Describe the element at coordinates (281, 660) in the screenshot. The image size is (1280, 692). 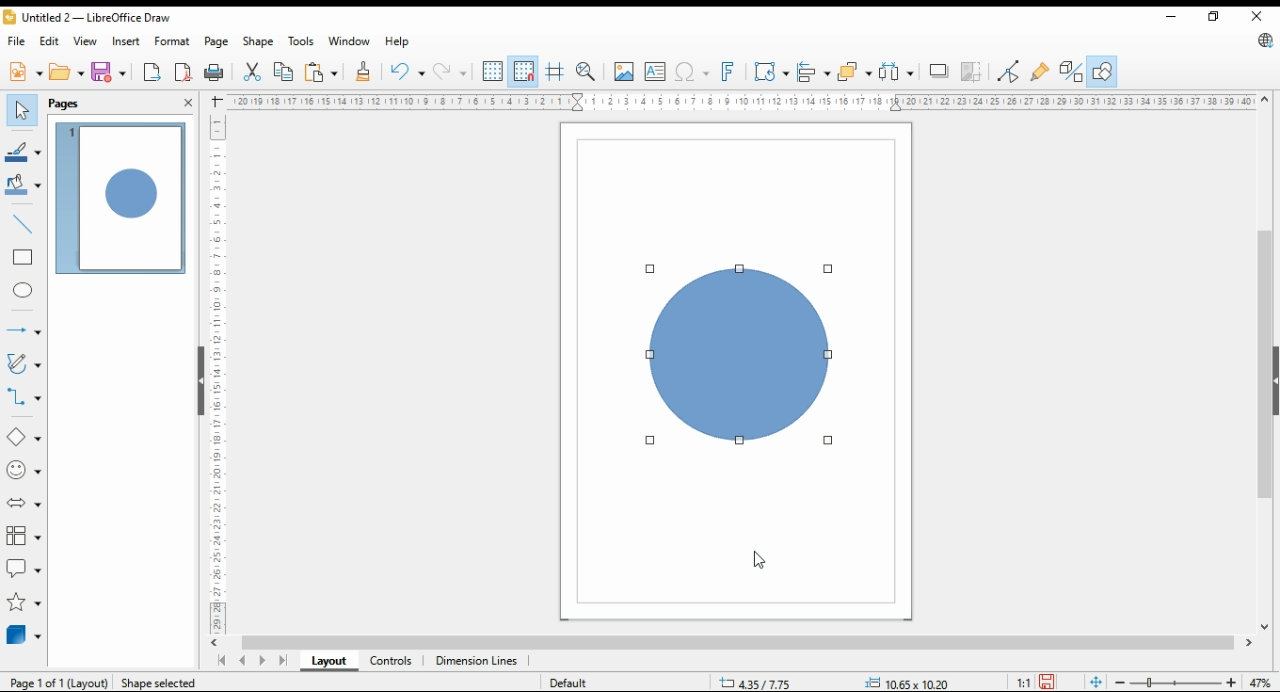
I see `last page` at that location.